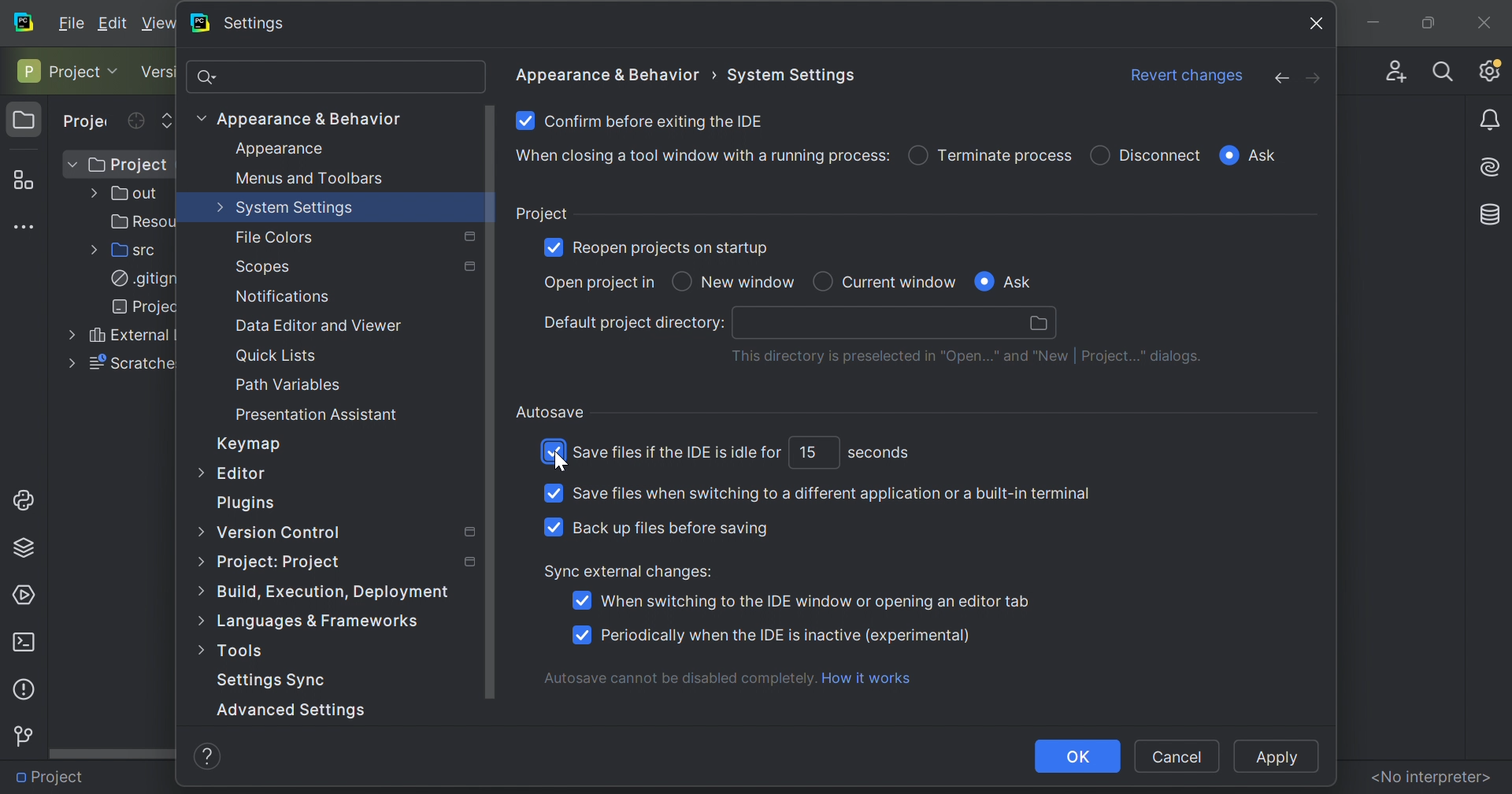 This screenshot has width=1512, height=794. What do you see at coordinates (91, 250) in the screenshot?
I see `More` at bounding box center [91, 250].